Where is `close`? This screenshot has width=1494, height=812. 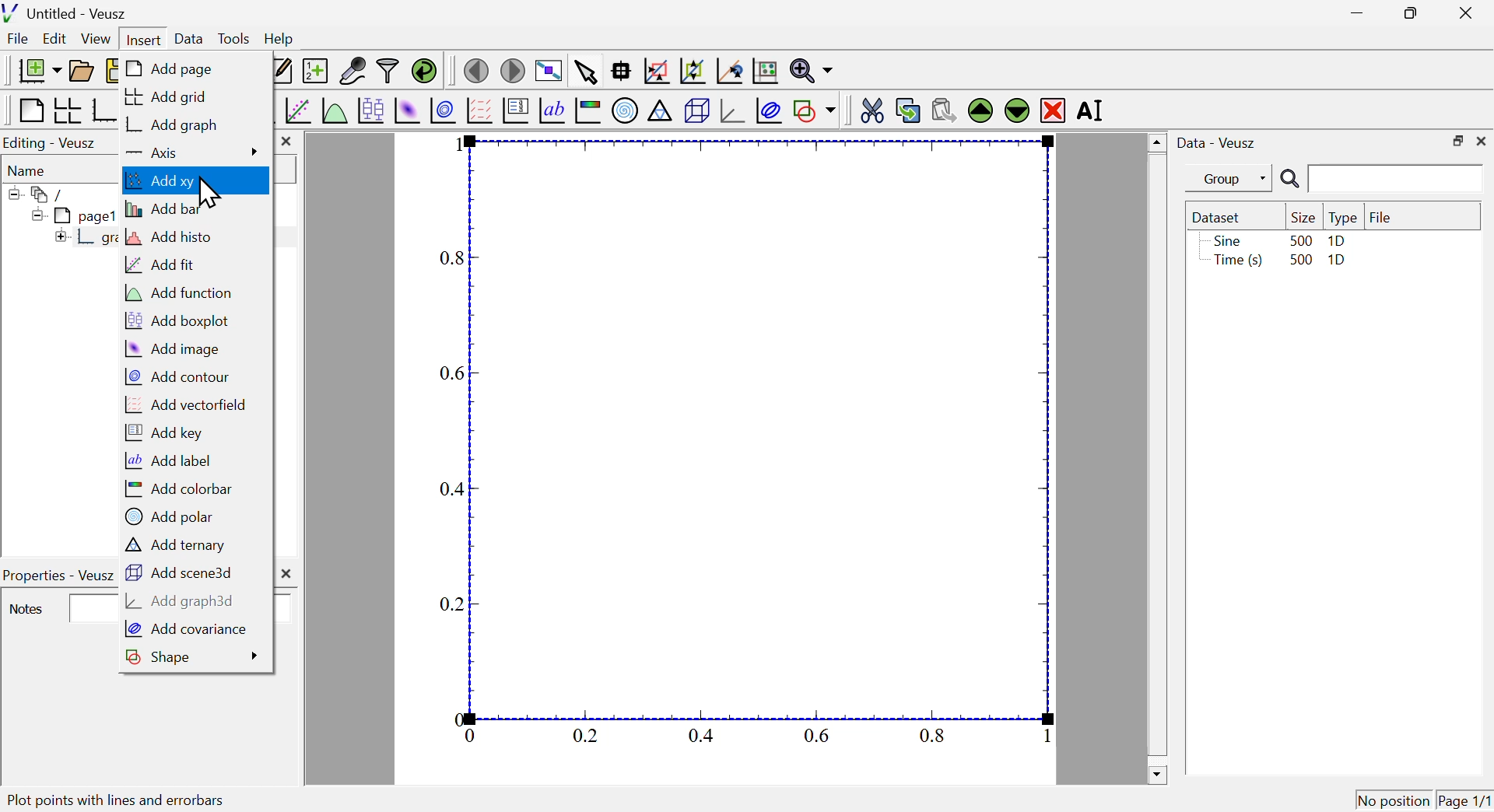 close is located at coordinates (1482, 141).